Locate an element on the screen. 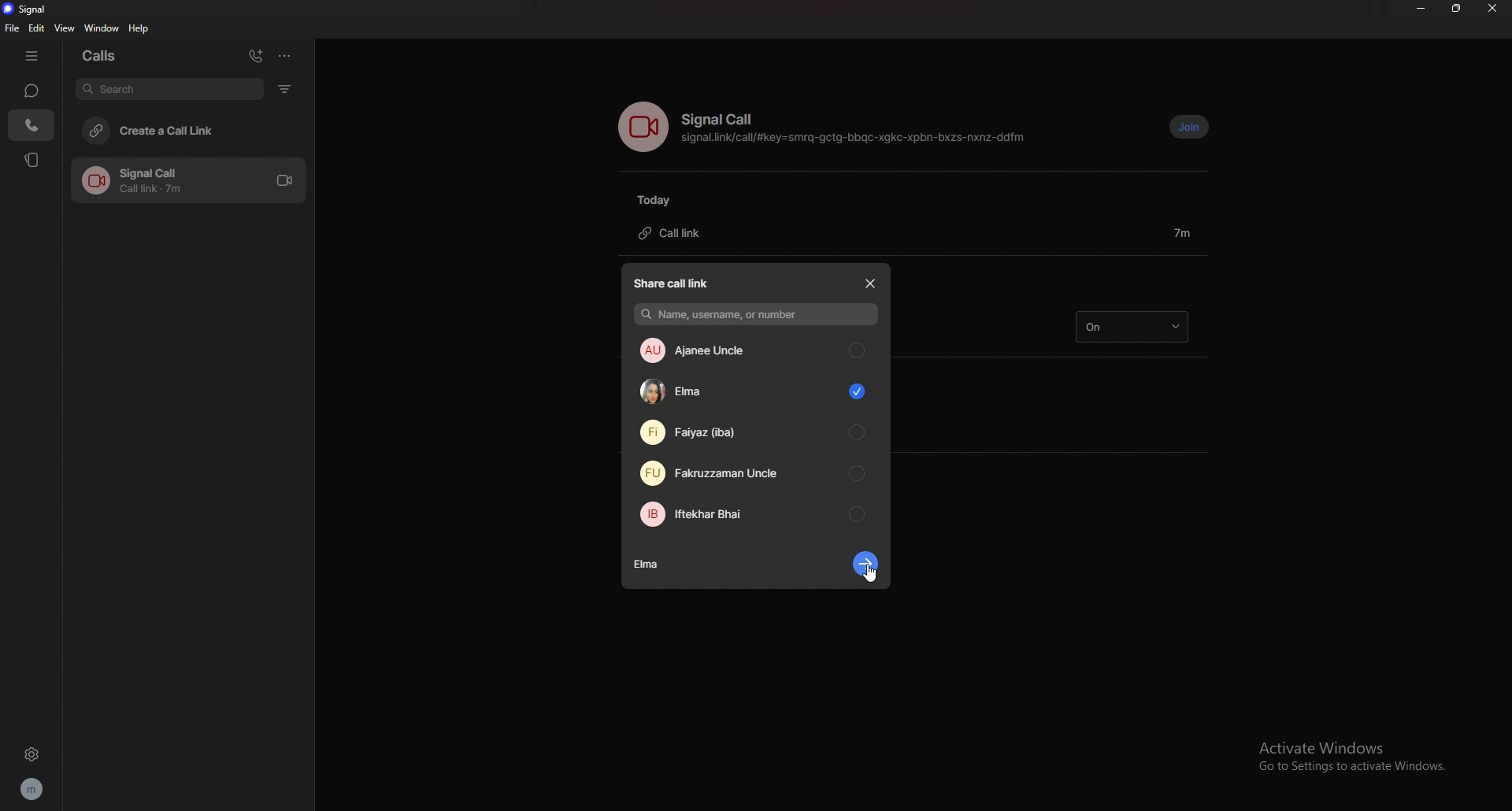 This screenshot has height=811, width=1512. create a call link is located at coordinates (187, 130).